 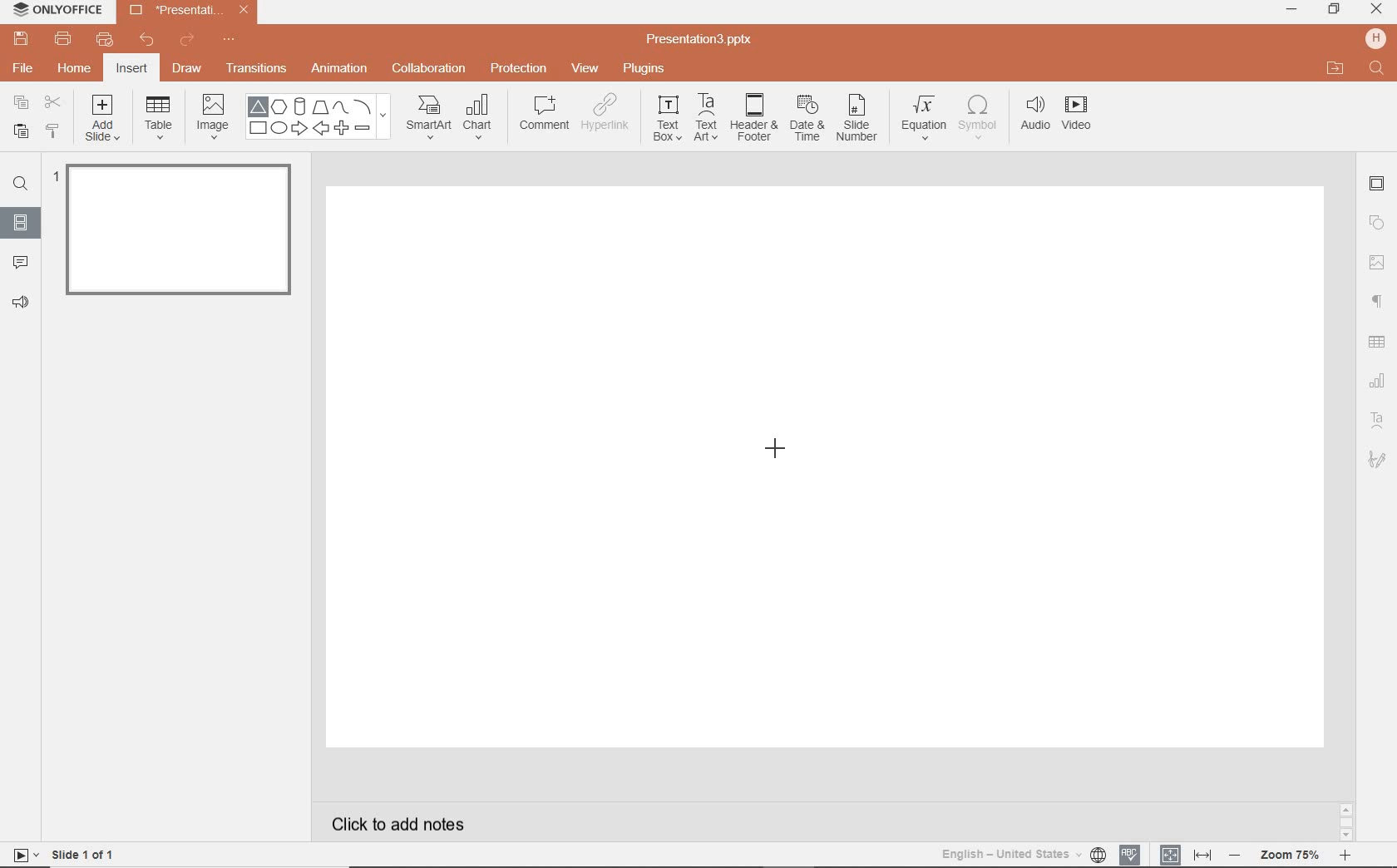 What do you see at coordinates (480, 118) in the screenshot?
I see `CHART` at bounding box center [480, 118].